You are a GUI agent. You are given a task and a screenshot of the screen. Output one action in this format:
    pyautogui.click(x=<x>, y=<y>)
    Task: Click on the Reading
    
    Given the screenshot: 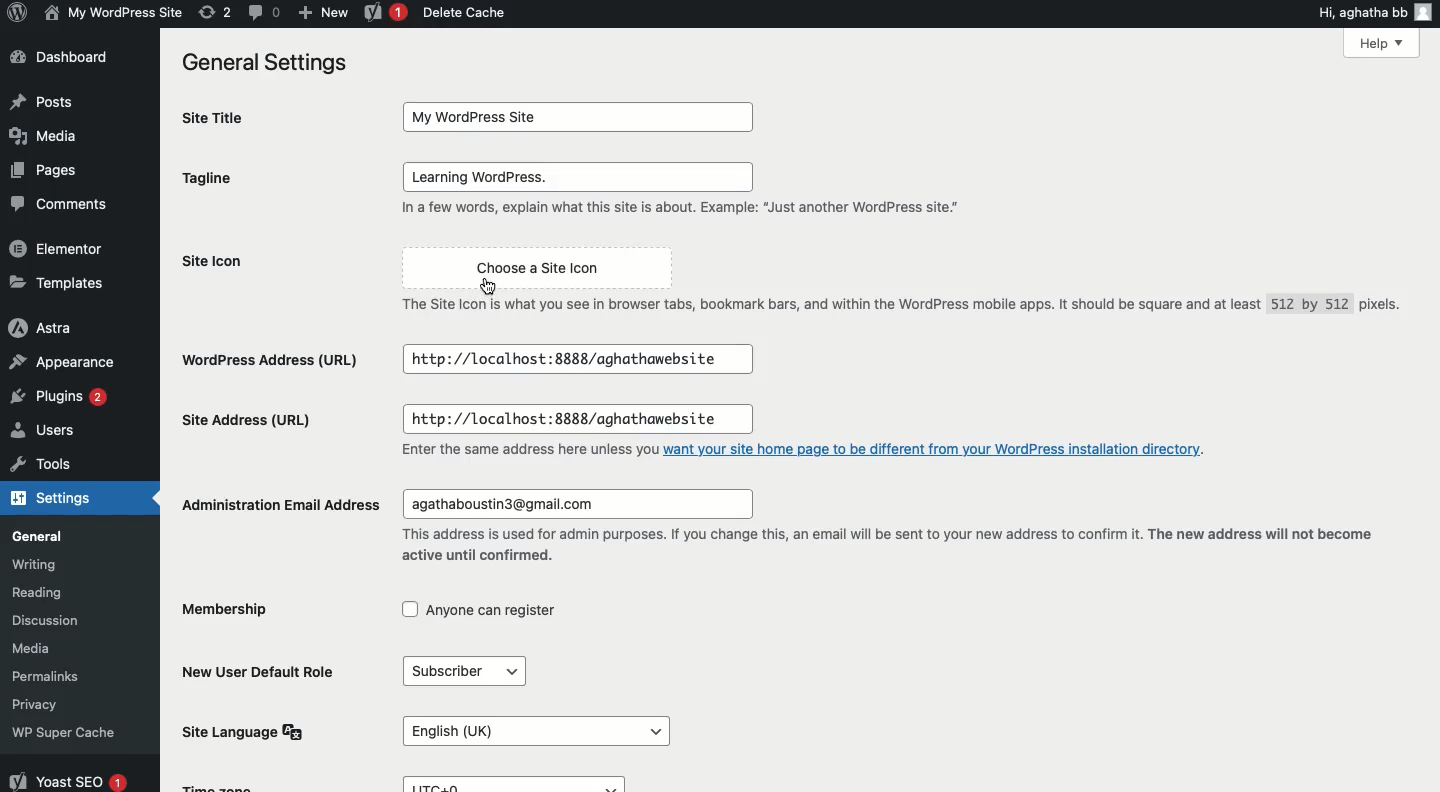 What is the action you would take?
    pyautogui.click(x=73, y=589)
    